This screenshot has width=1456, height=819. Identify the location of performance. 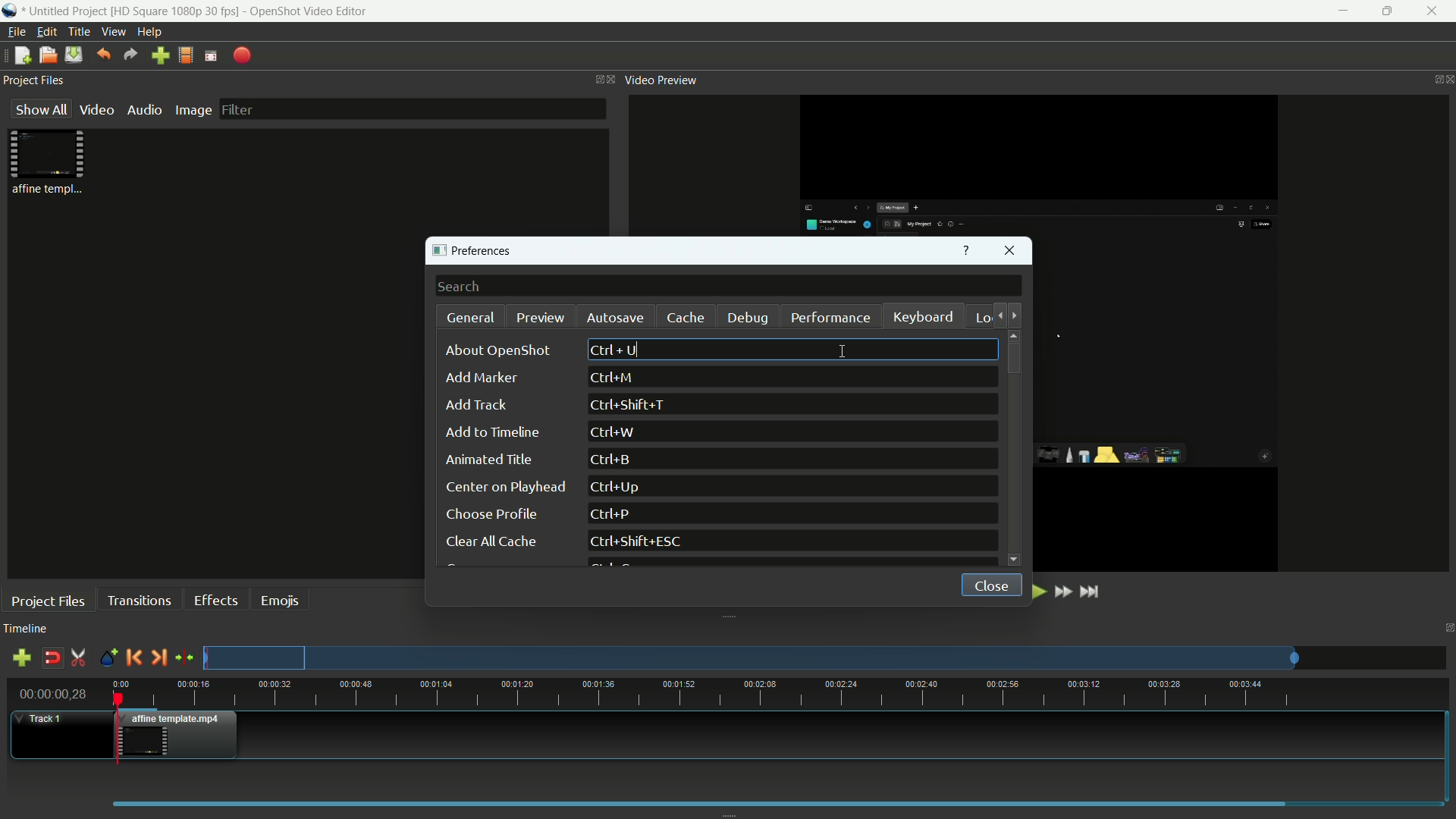
(830, 317).